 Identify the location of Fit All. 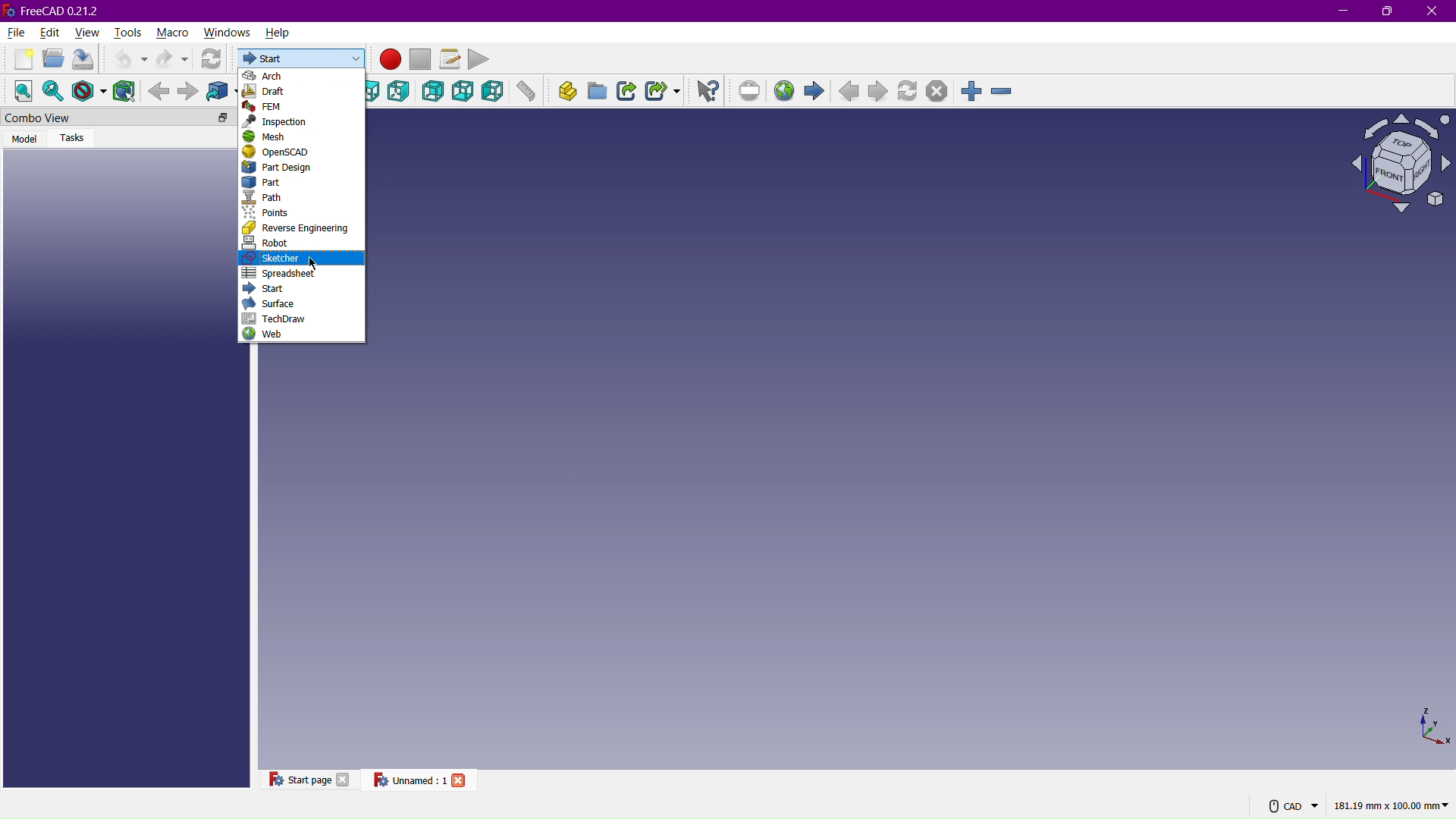
(21, 89).